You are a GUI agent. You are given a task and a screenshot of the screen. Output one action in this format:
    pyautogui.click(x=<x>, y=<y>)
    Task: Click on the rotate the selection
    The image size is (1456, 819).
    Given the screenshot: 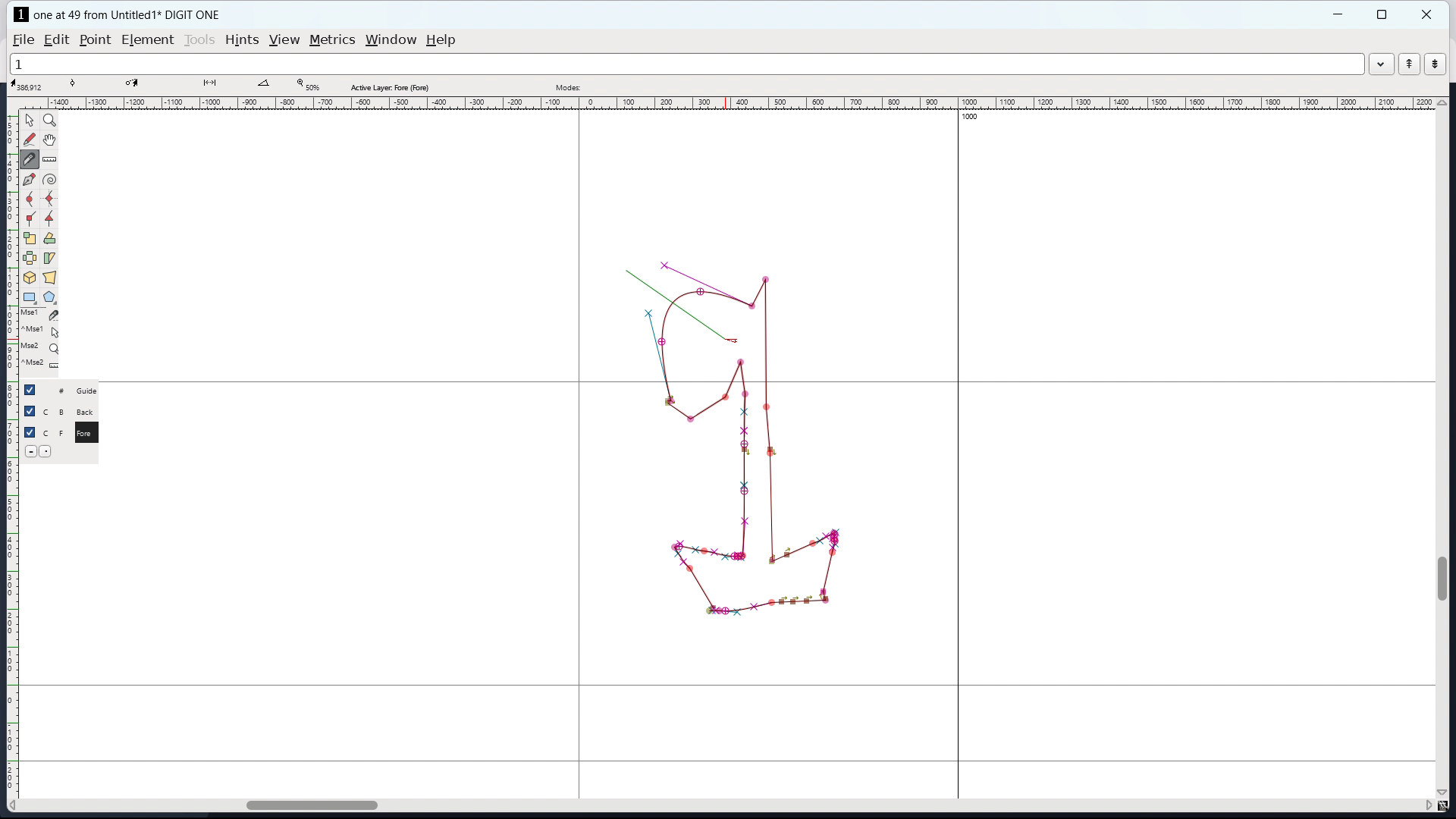 What is the action you would take?
    pyautogui.click(x=49, y=239)
    